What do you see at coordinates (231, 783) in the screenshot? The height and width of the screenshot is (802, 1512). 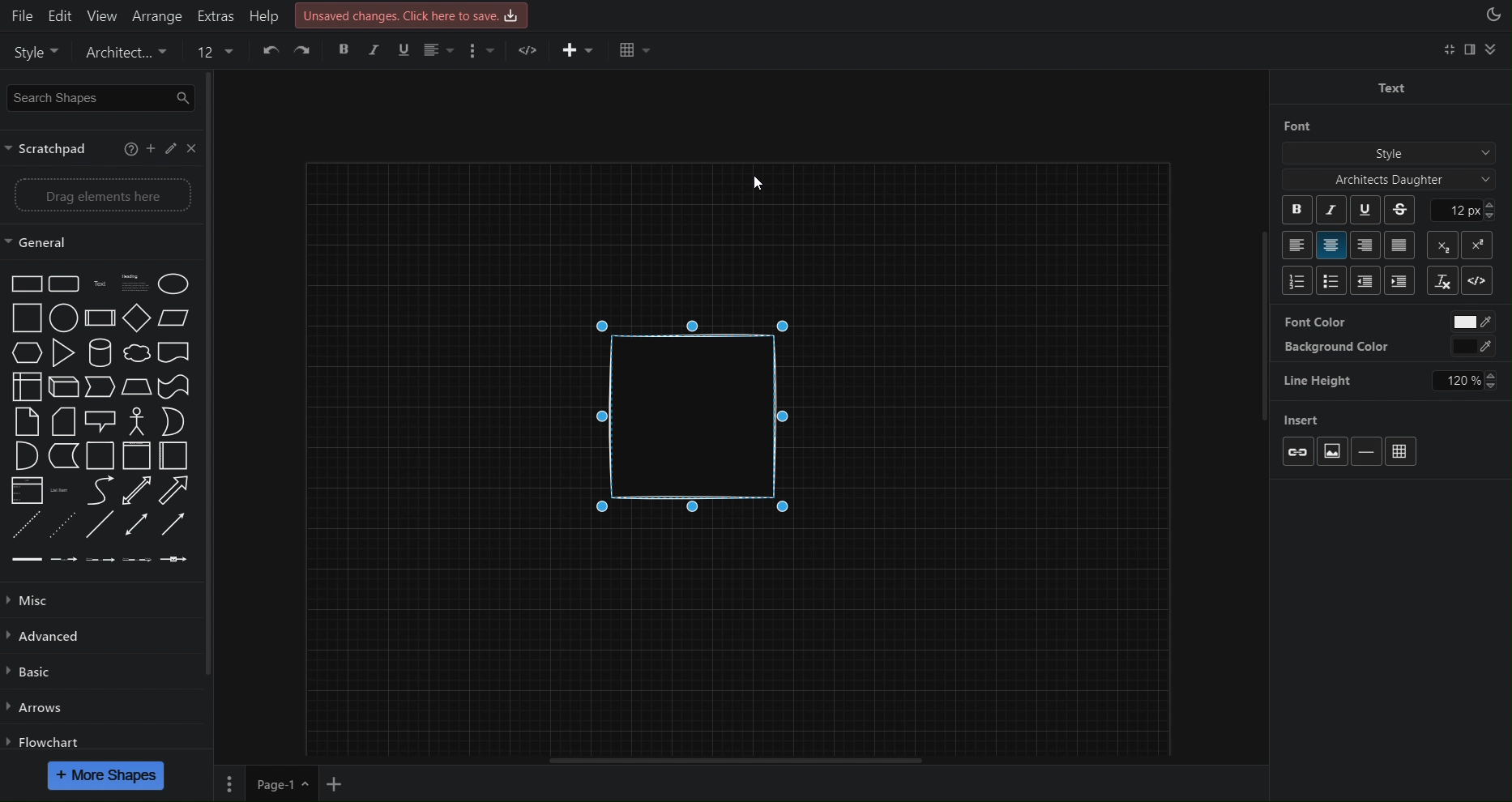 I see `Pages` at bounding box center [231, 783].